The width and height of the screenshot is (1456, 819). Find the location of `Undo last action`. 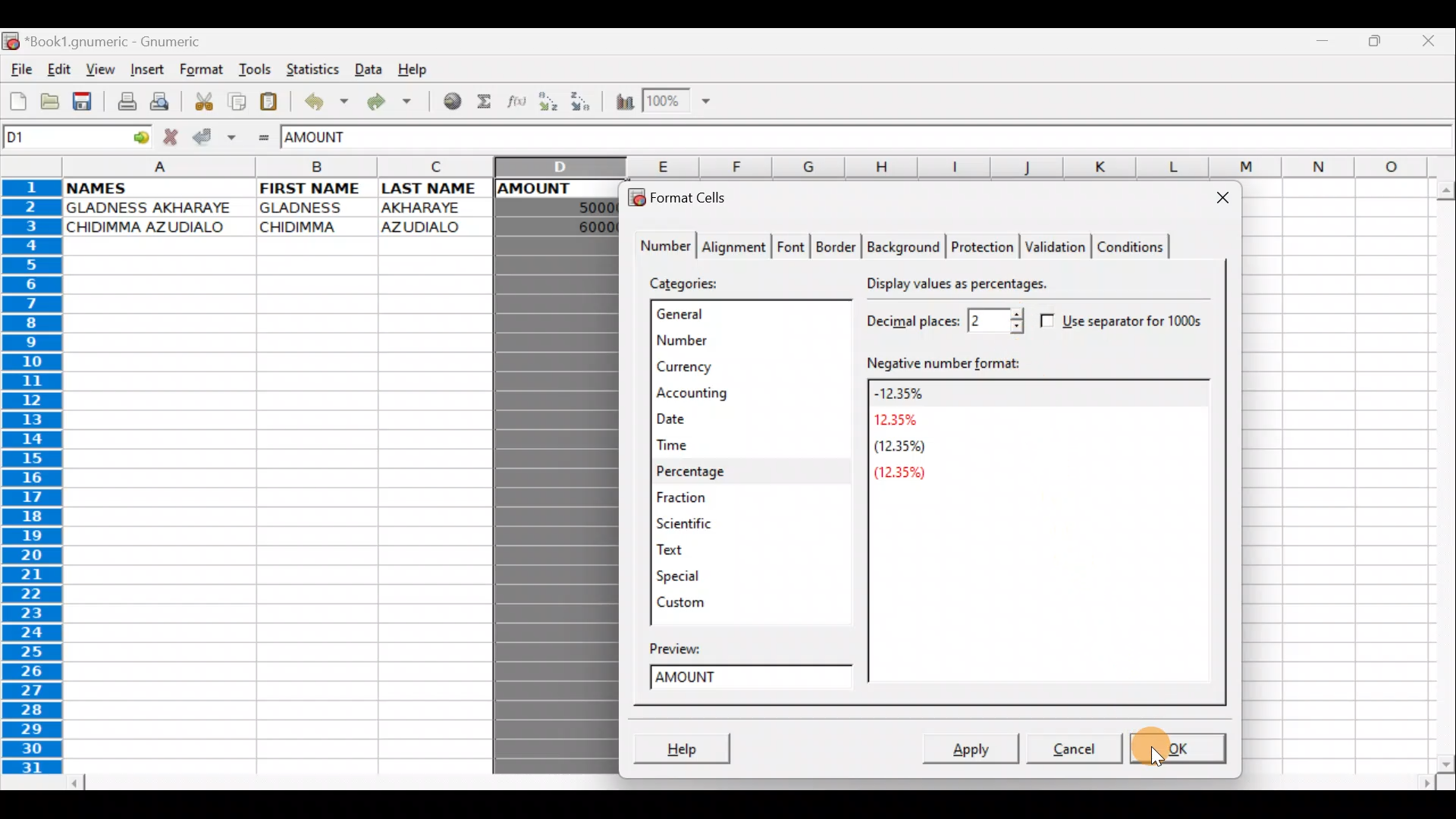

Undo last action is located at coordinates (322, 100).